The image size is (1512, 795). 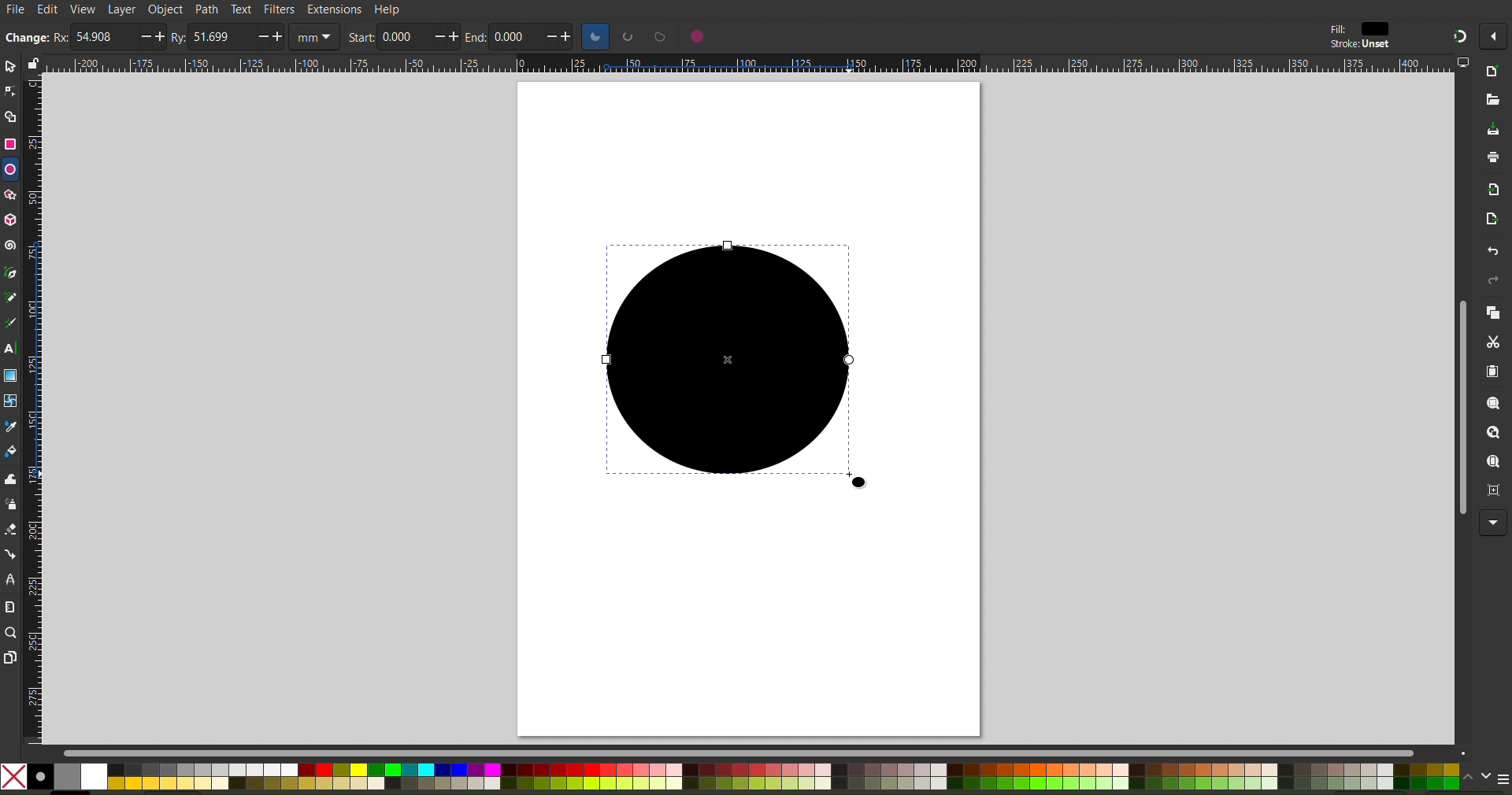 What do you see at coordinates (1466, 65) in the screenshot?
I see `computer icon` at bounding box center [1466, 65].